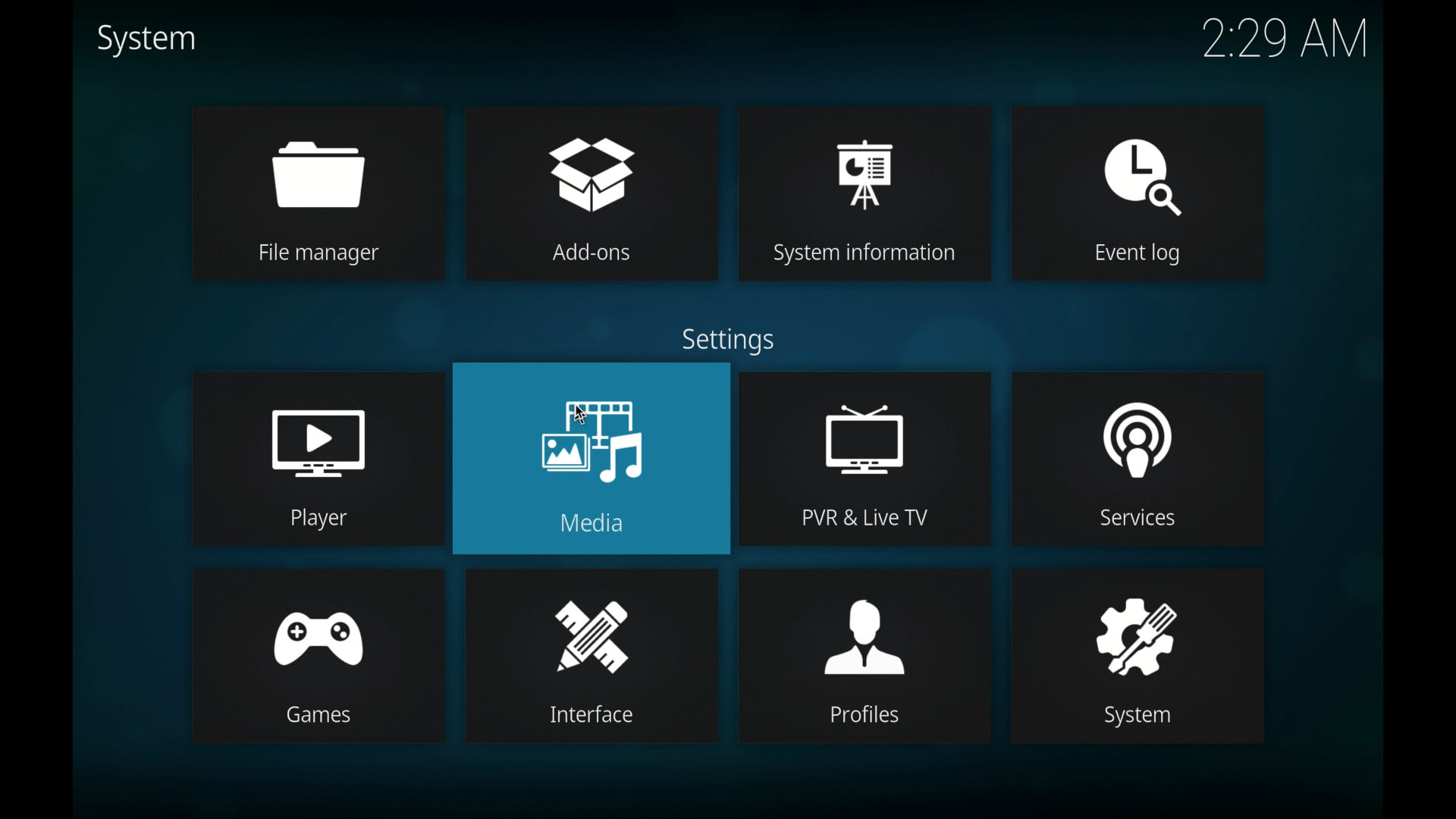 Image resolution: width=1456 pixels, height=819 pixels. I want to click on System, so click(1128, 714).